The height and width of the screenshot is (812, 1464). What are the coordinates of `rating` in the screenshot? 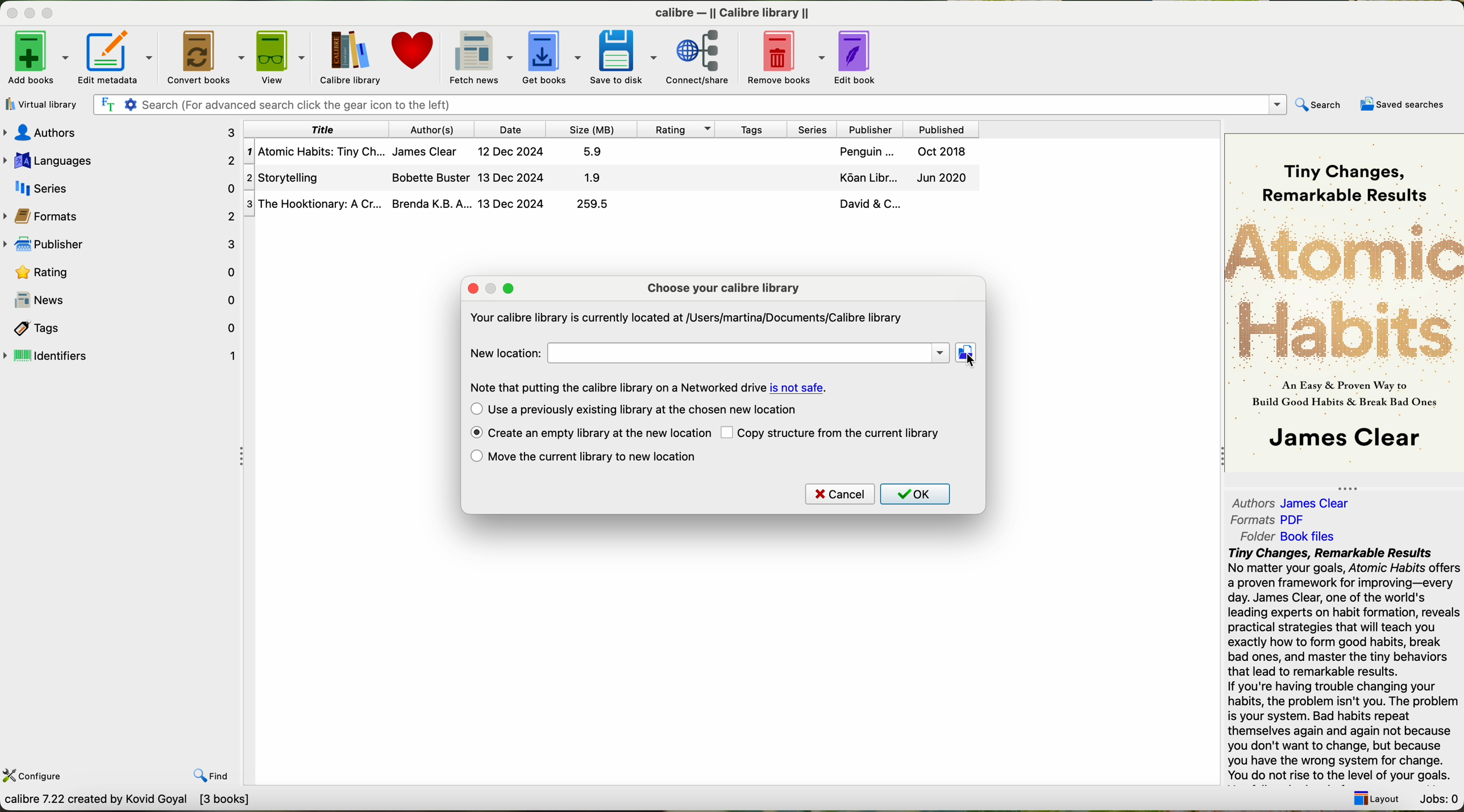 It's located at (122, 271).